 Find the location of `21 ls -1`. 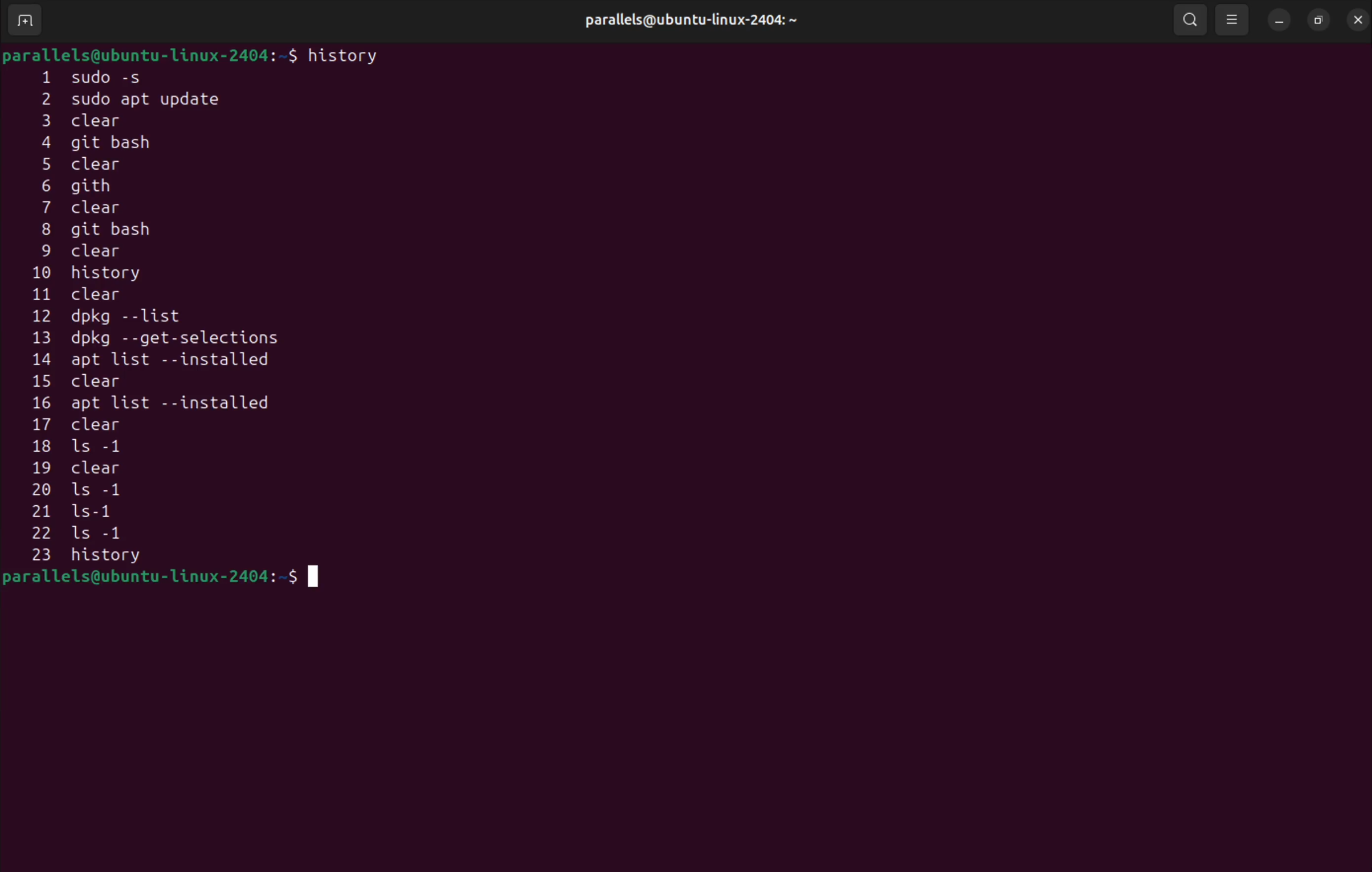

21 ls -1 is located at coordinates (89, 512).